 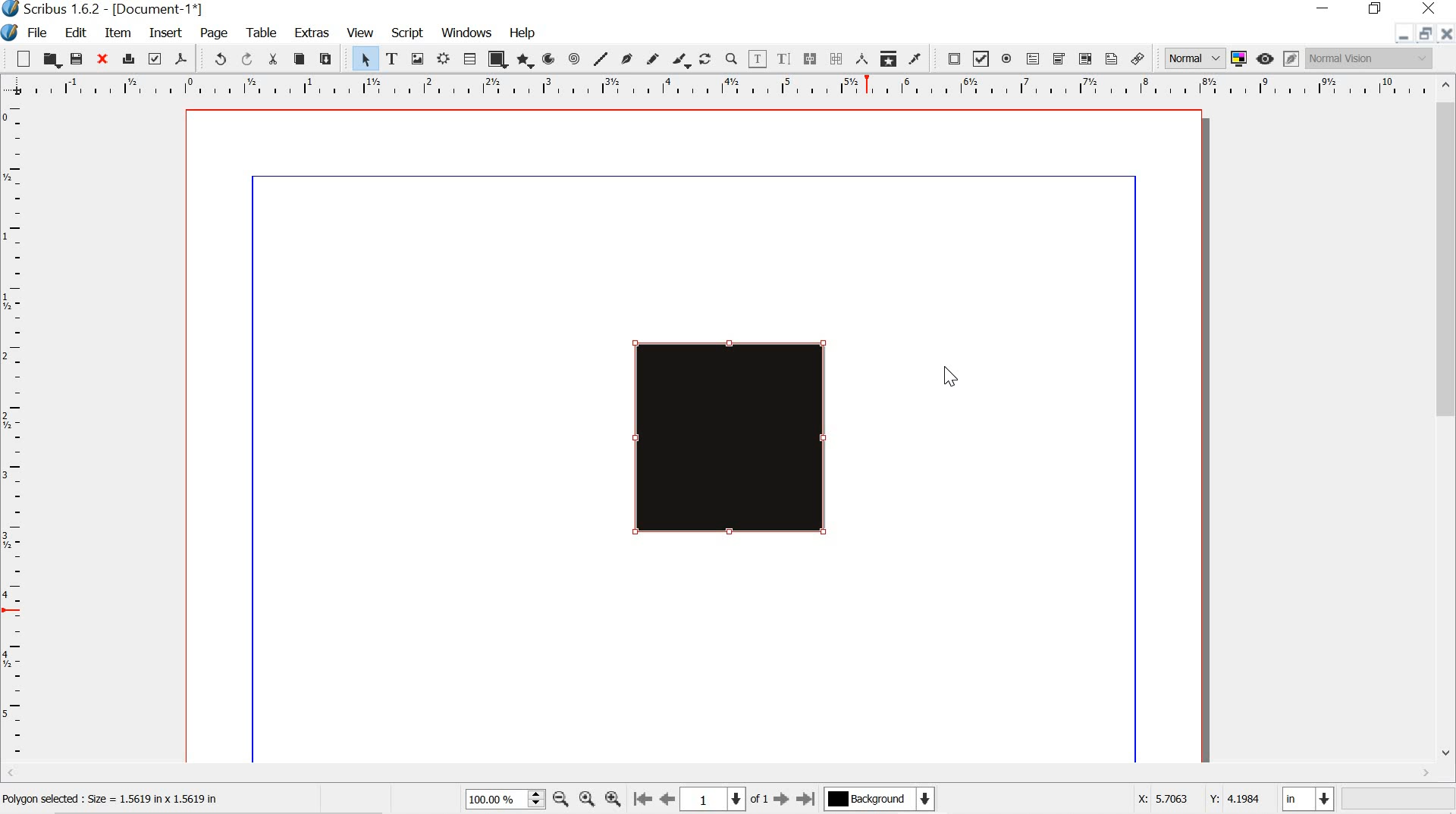 What do you see at coordinates (468, 33) in the screenshot?
I see `windows` at bounding box center [468, 33].